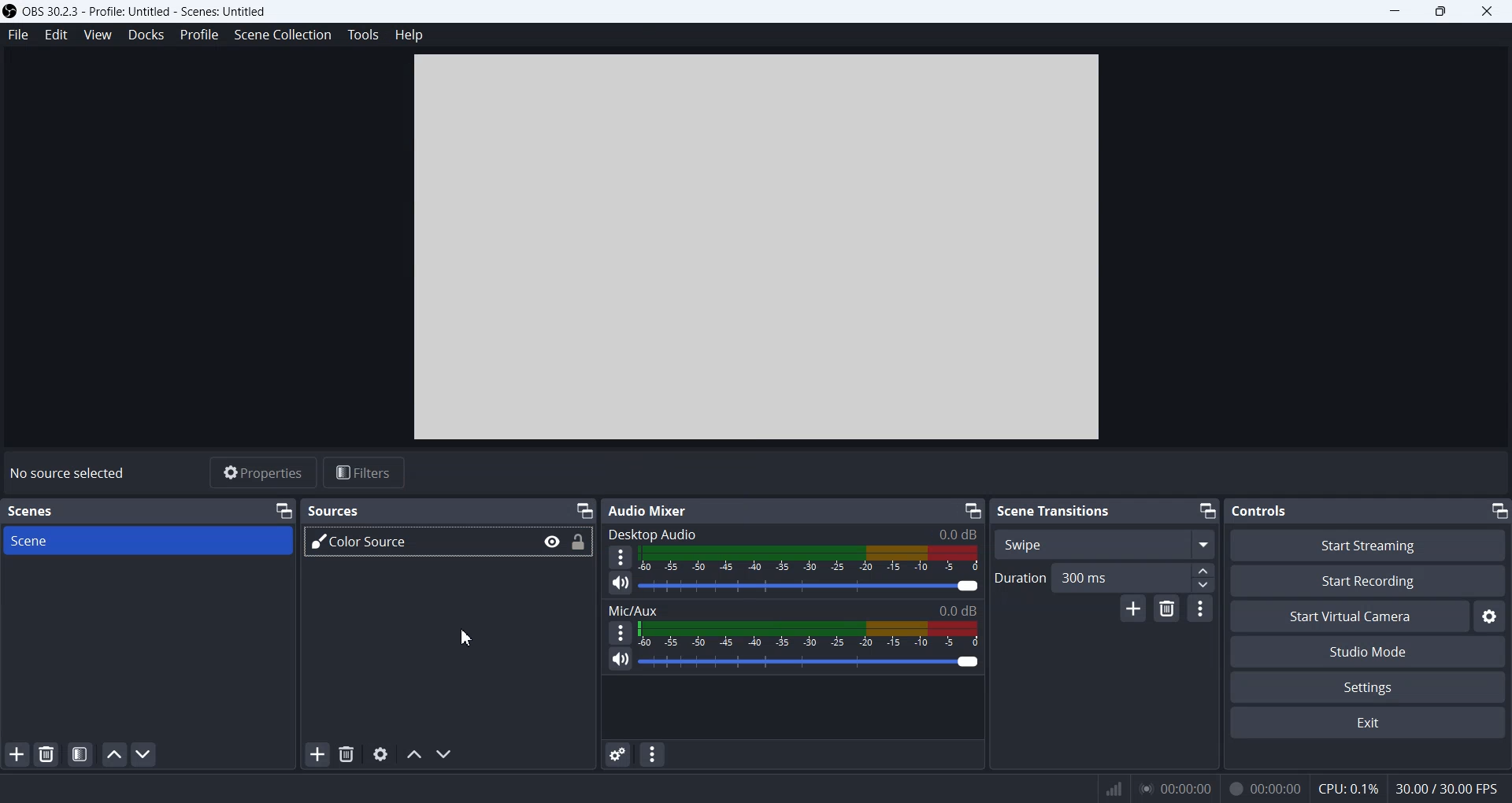 This screenshot has height=803, width=1512. I want to click on Move Source Down, so click(446, 754).